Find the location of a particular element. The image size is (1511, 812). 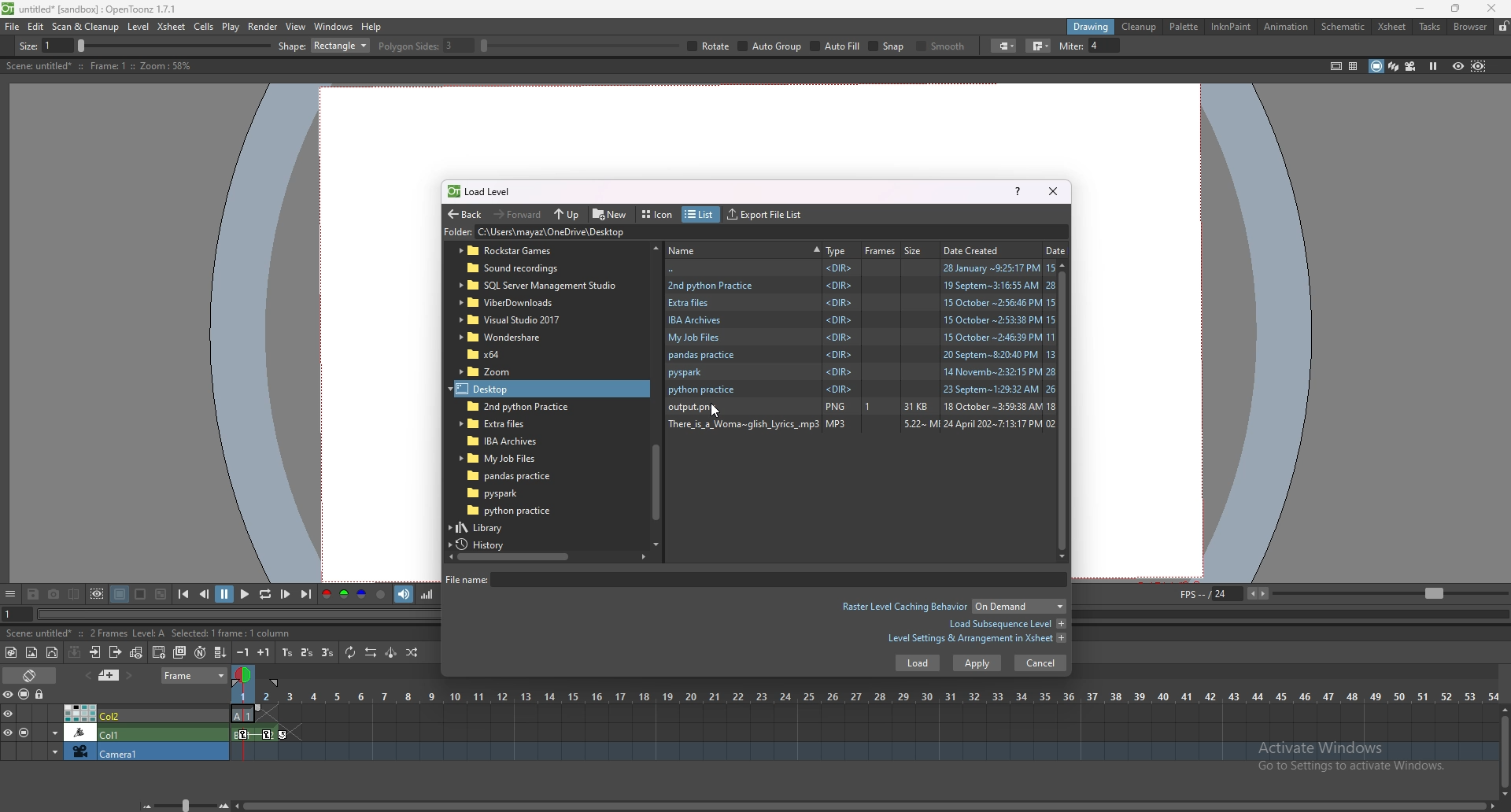

cursor is located at coordinates (715, 410).